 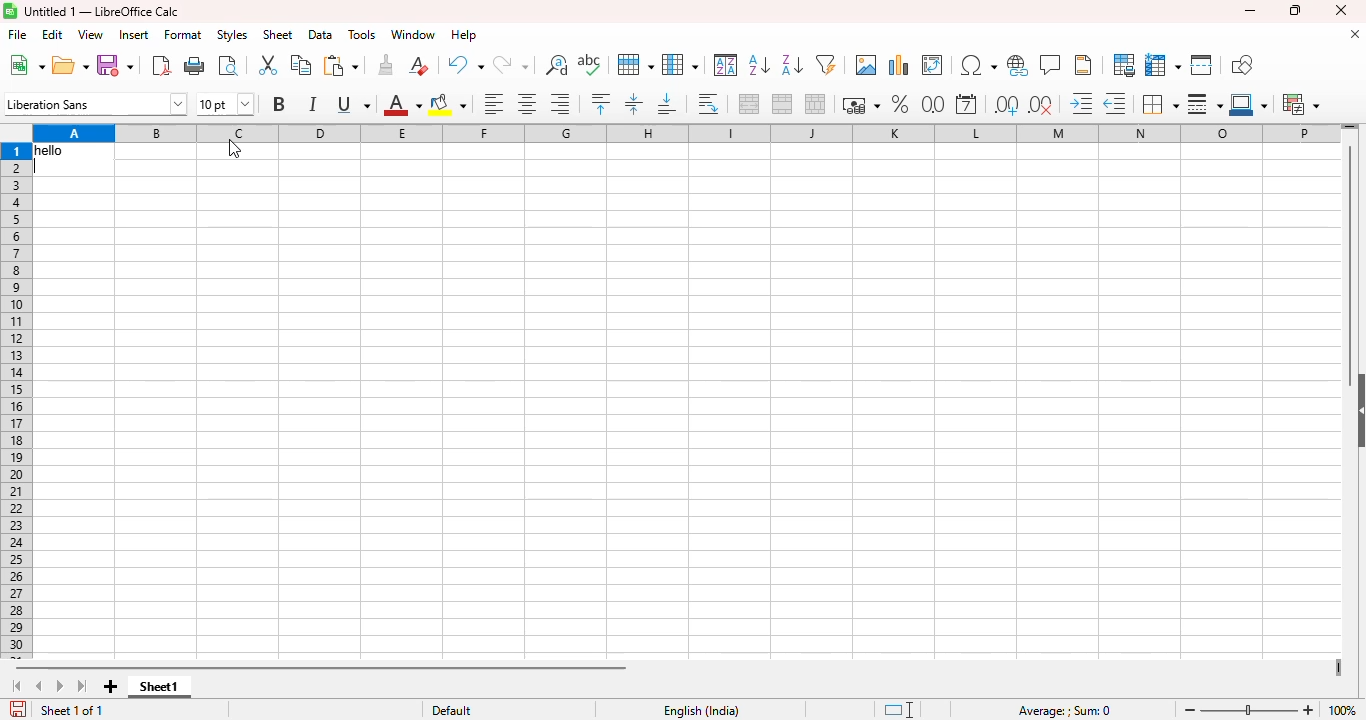 I want to click on edit, so click(x=52, y=35).